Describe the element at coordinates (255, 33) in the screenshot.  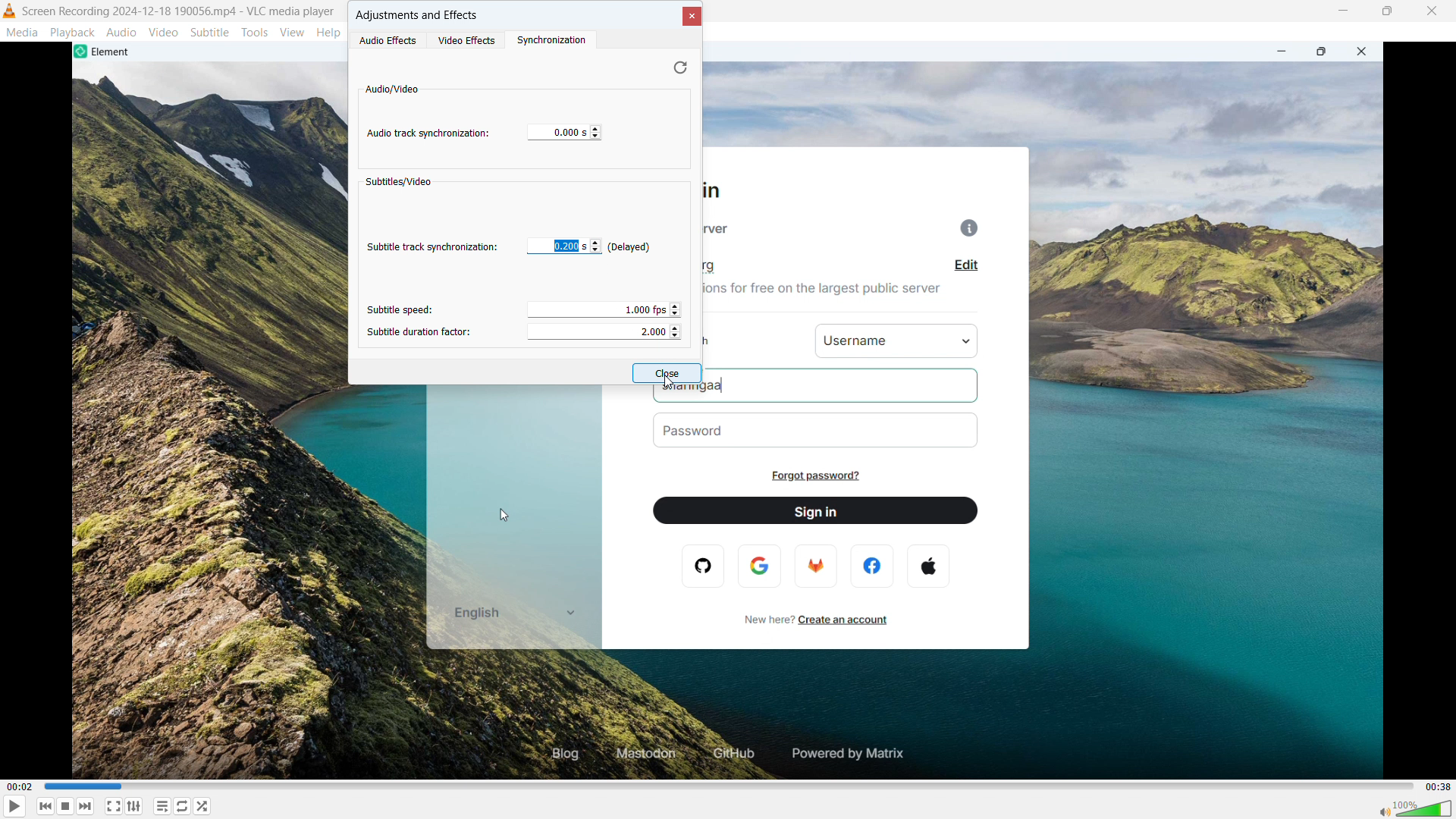
I see `tools` at that location.